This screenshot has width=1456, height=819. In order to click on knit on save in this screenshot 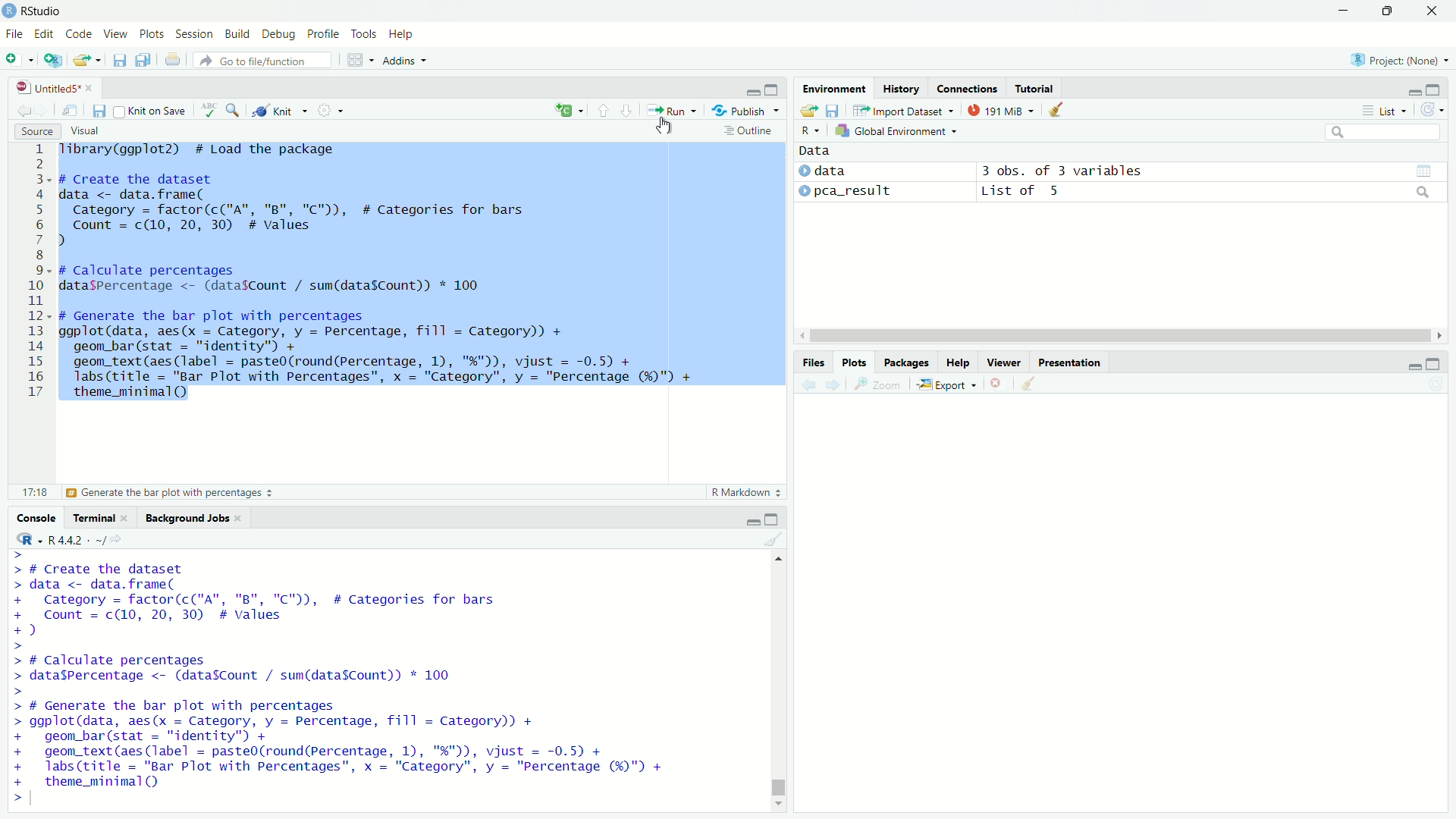, I will do `click(152, 111)`.